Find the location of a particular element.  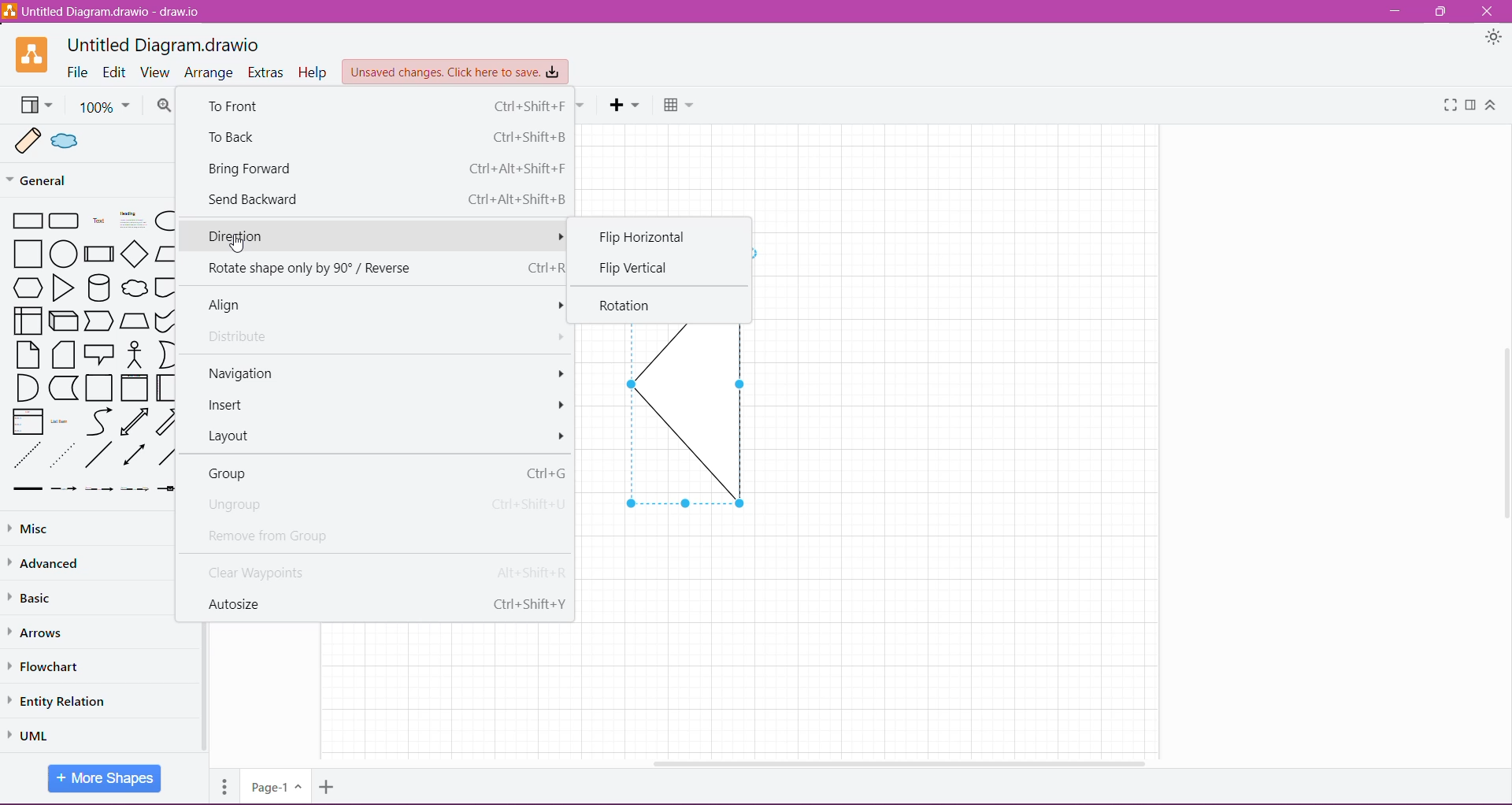

Zoom In is located at coordinates (164, 106).